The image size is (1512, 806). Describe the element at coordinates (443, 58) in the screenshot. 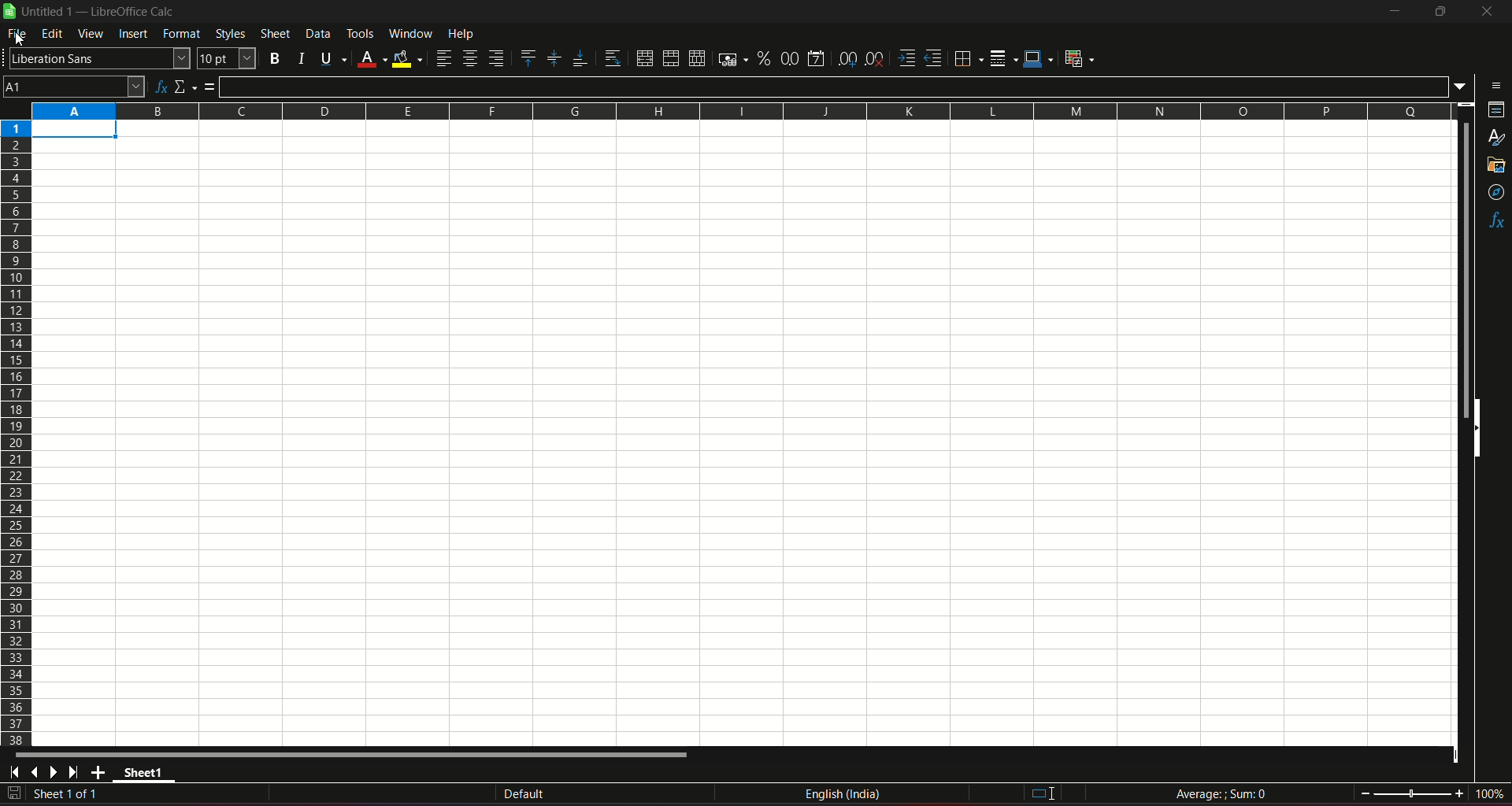

I see `  align` at that location.